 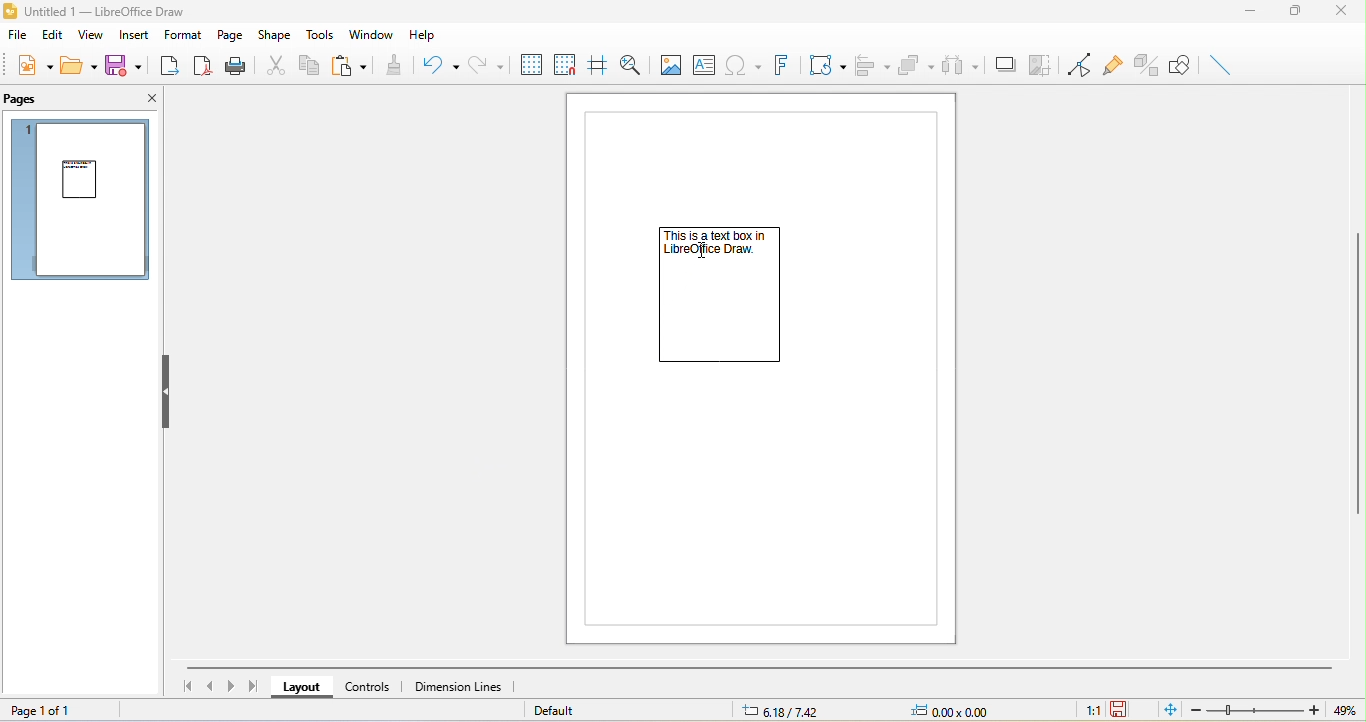 What do you see at coordinates (1125, 711) in the screenshot?
I see `the document has not been modified since the last save` at bounding box center [1125, 711].